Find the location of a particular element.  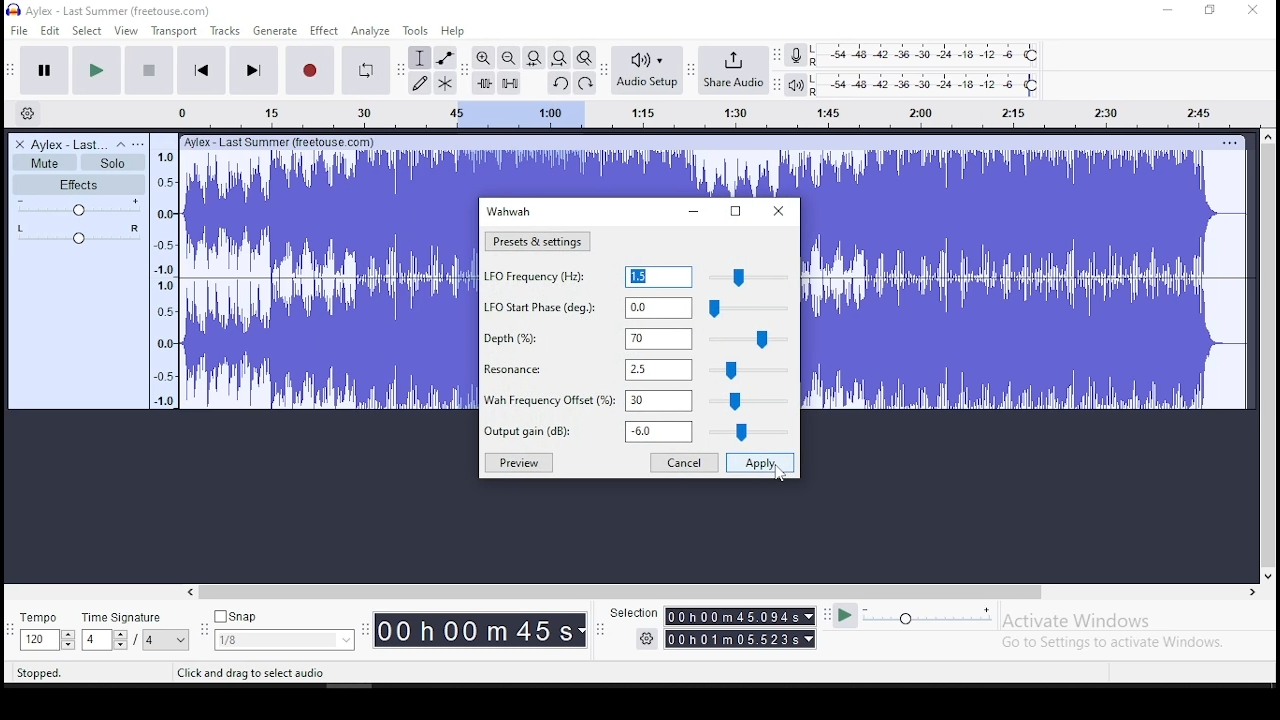

depth is located at coordinates (586, 338).